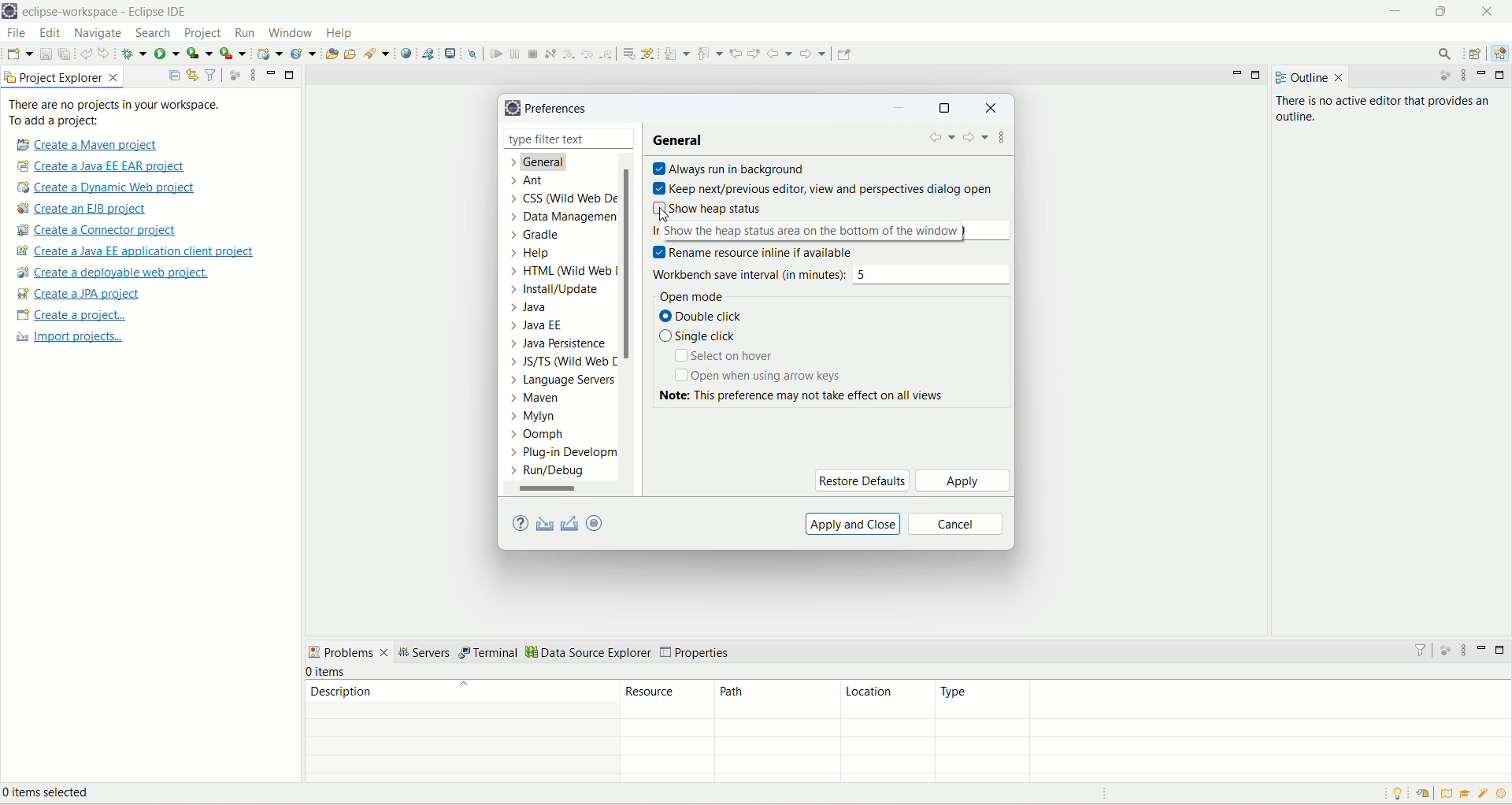 The height and width of the screenshot is (805, 1512). What do you see at coordinates (518, 525) in the screenshot?
I see `help` at bounding box center [518, 525].